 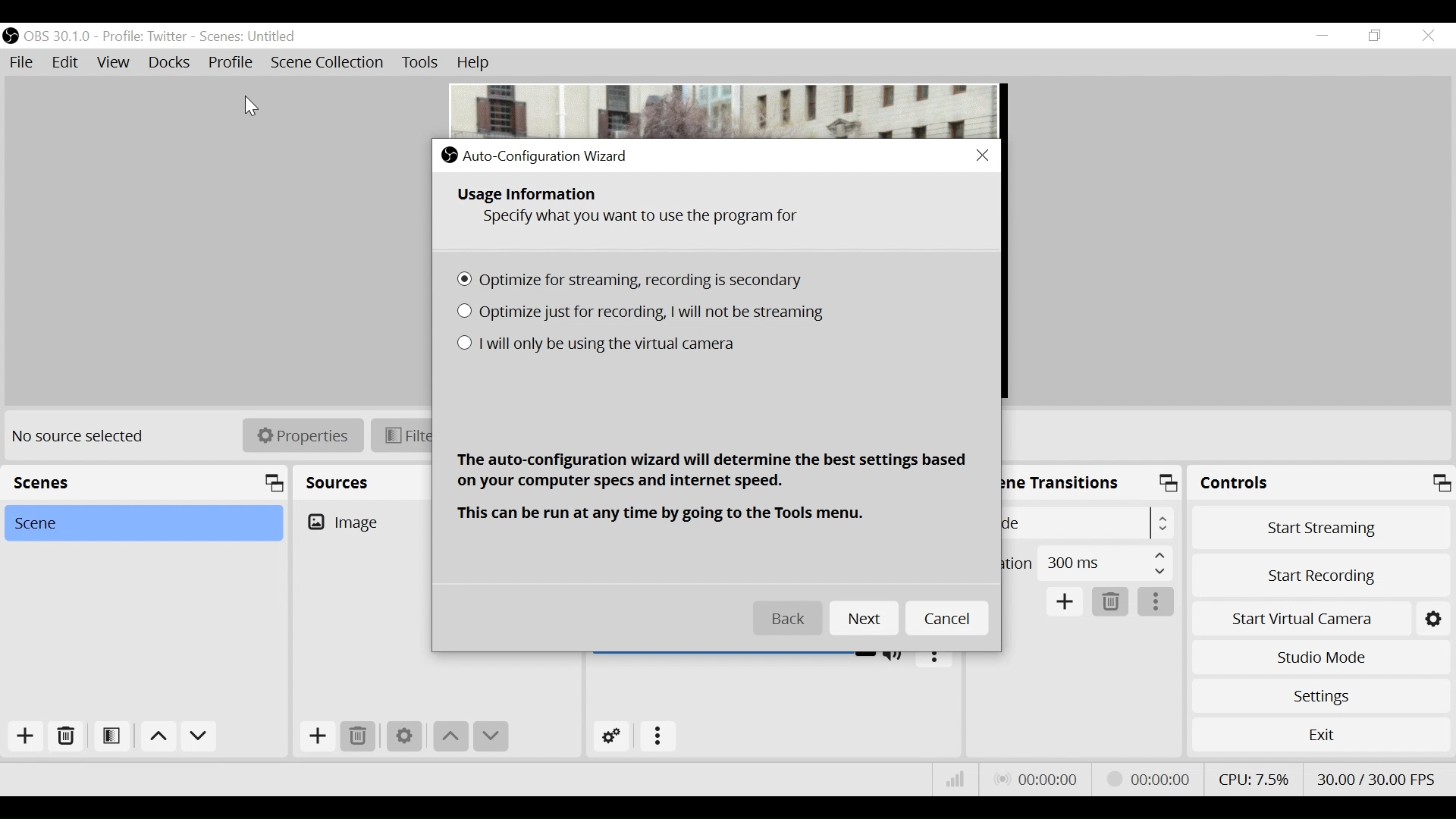 I want to click on Delete, so click(x=358, y=736).